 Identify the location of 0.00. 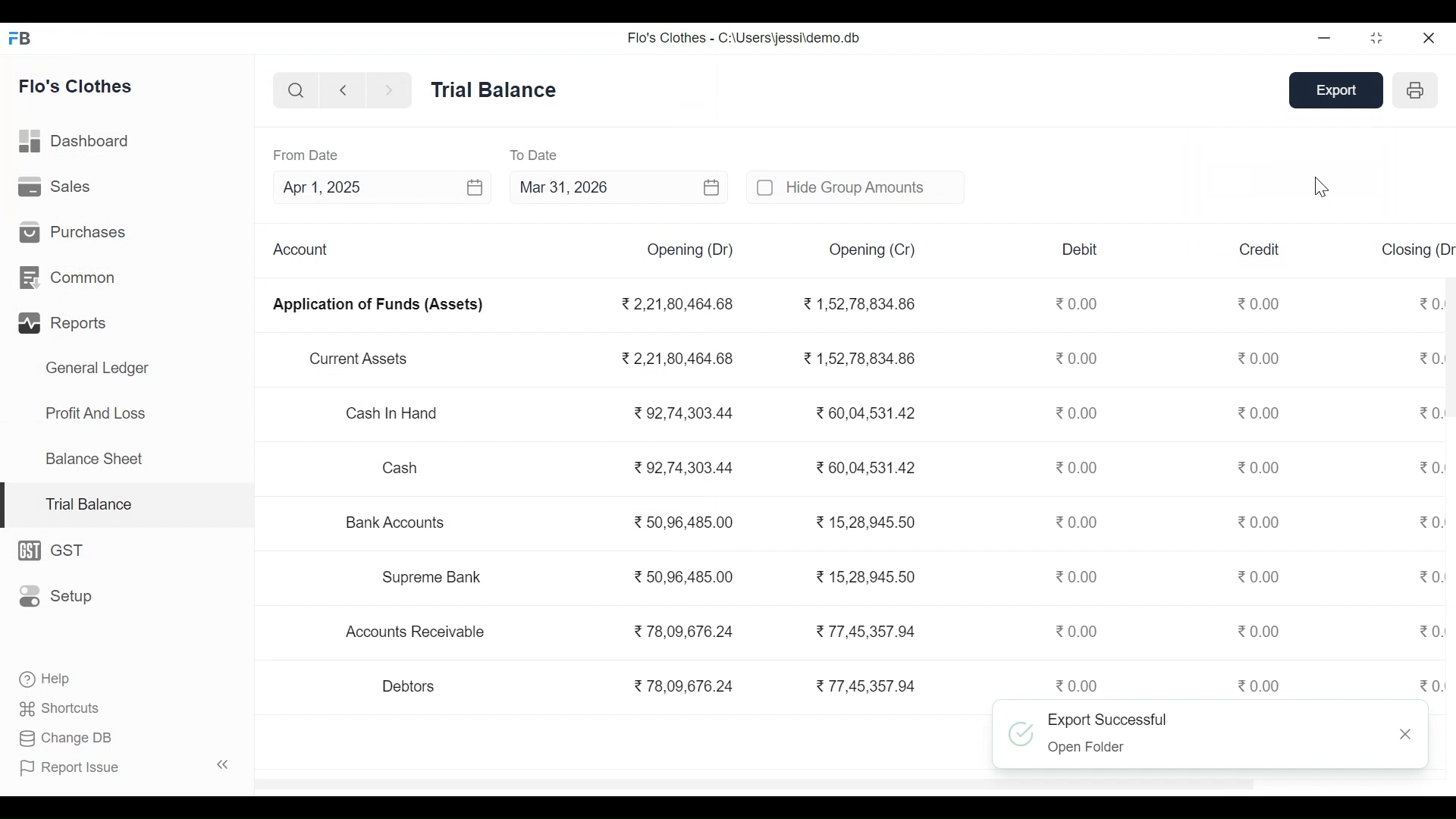
(1430, 359).